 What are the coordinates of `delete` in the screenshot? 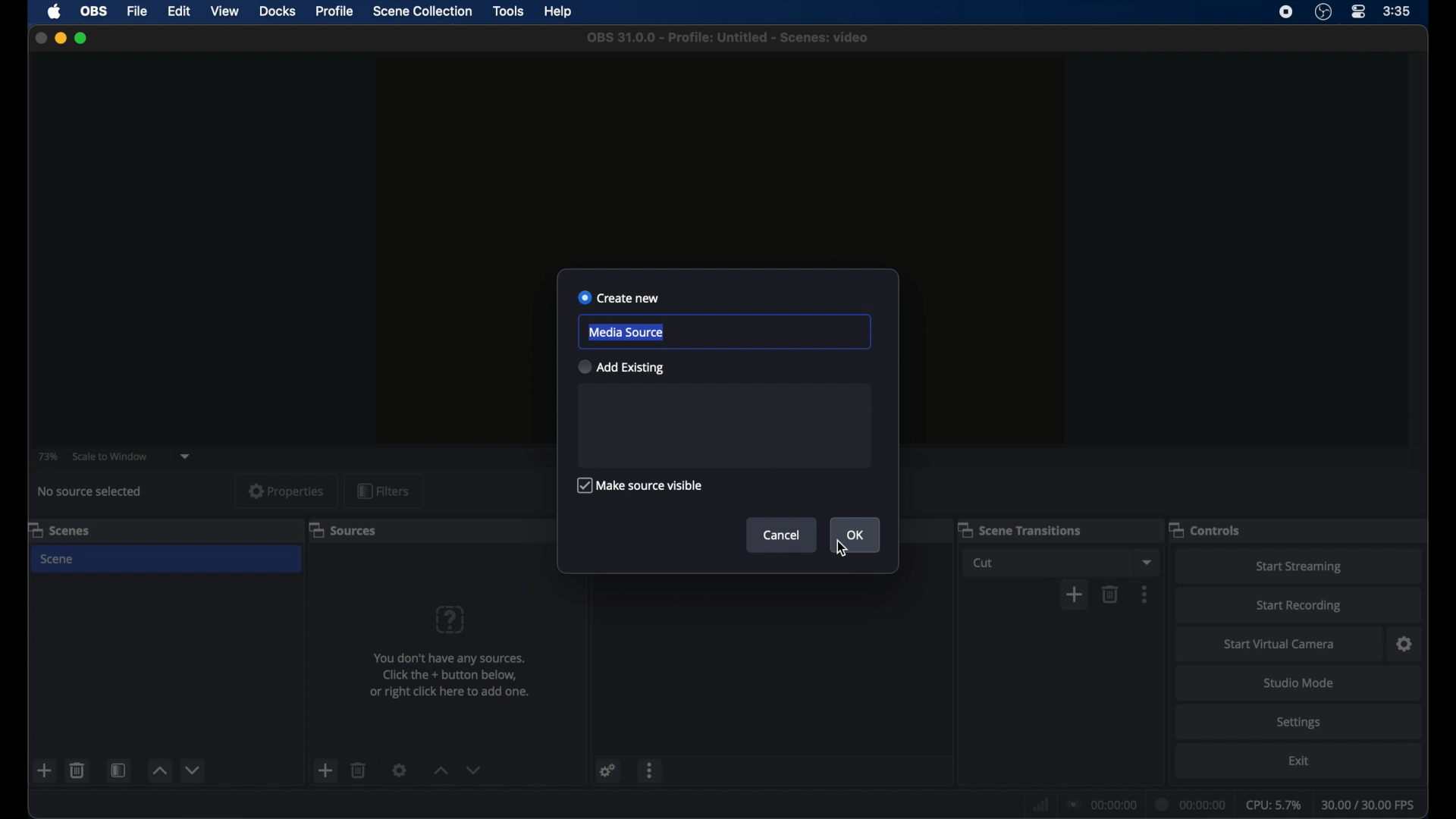 It's located at (78, 770).